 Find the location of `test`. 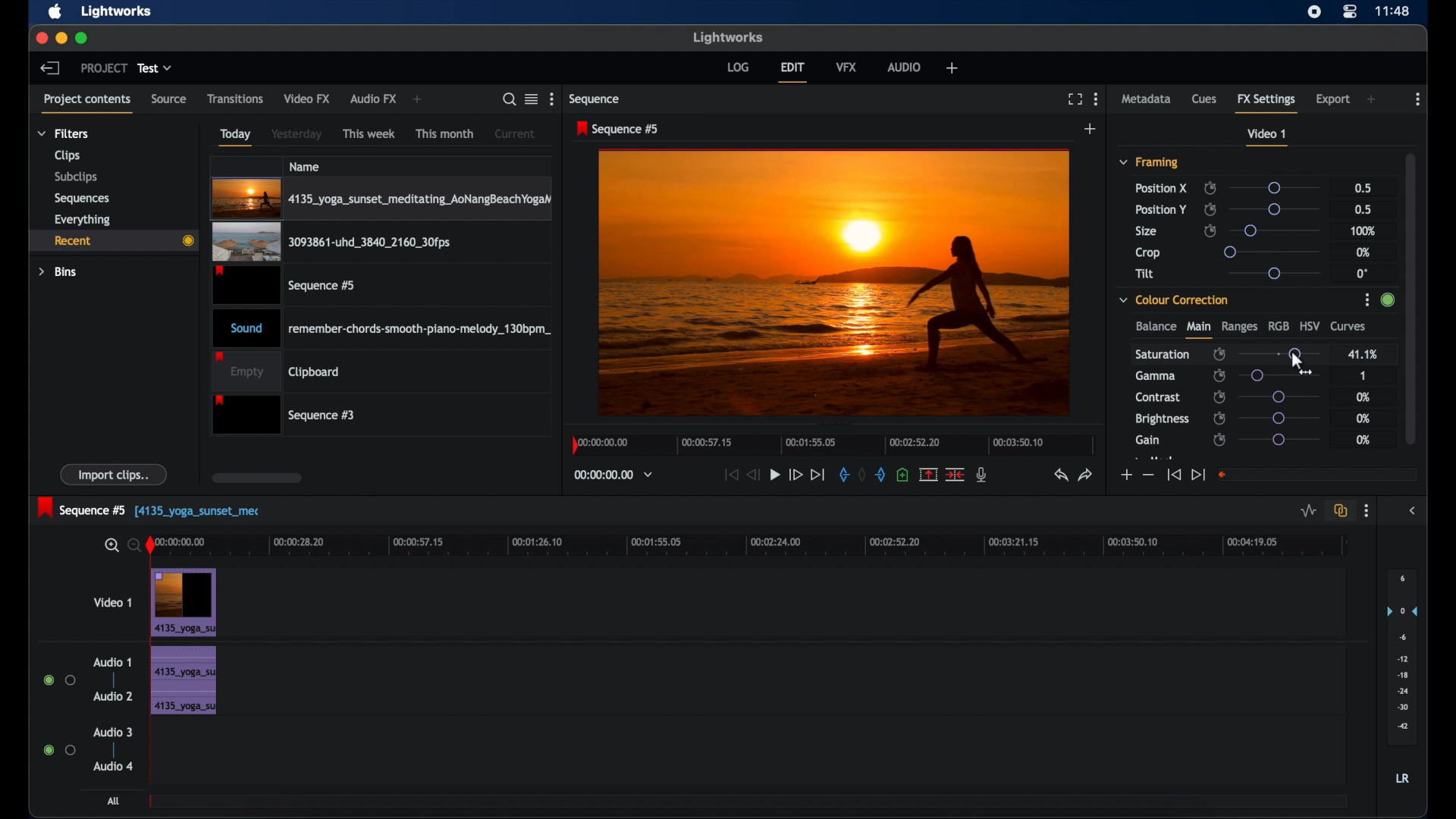

test is located at coordinates (156, 68).